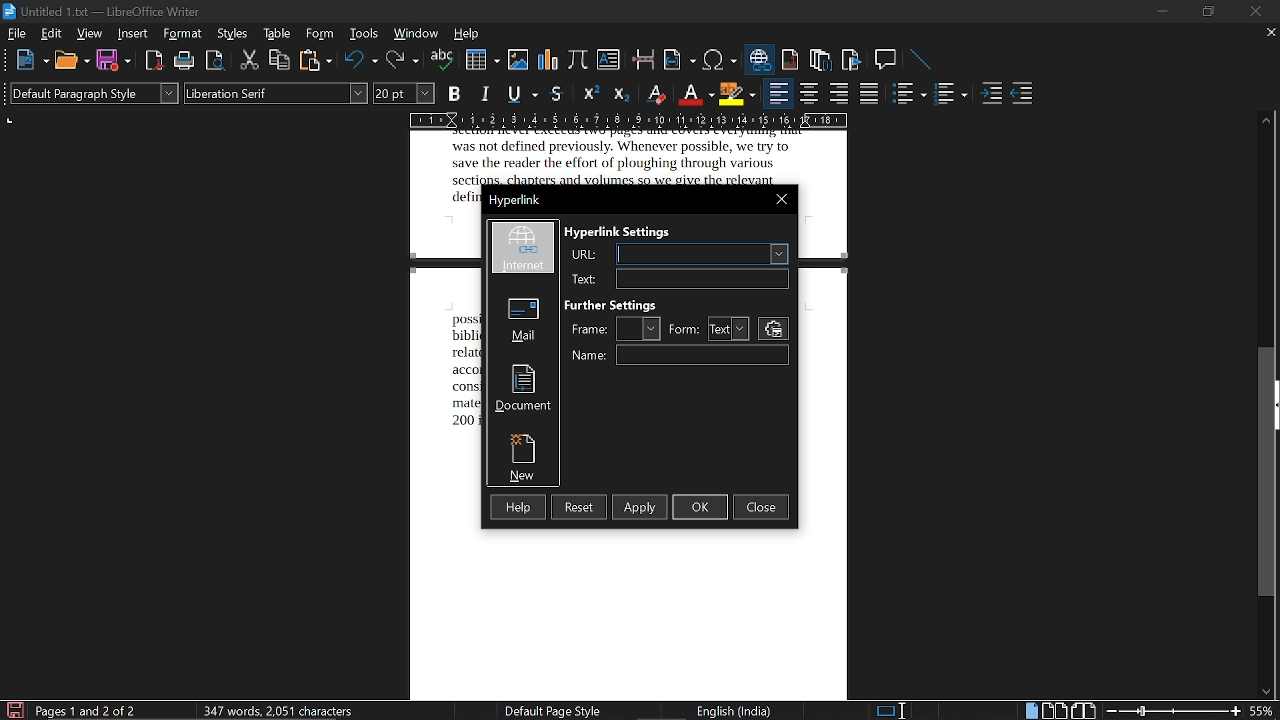  What do you see at coordinates (1269, 35) in the screenshot?
I see `close current tab` at bounding box center [1269, 35].